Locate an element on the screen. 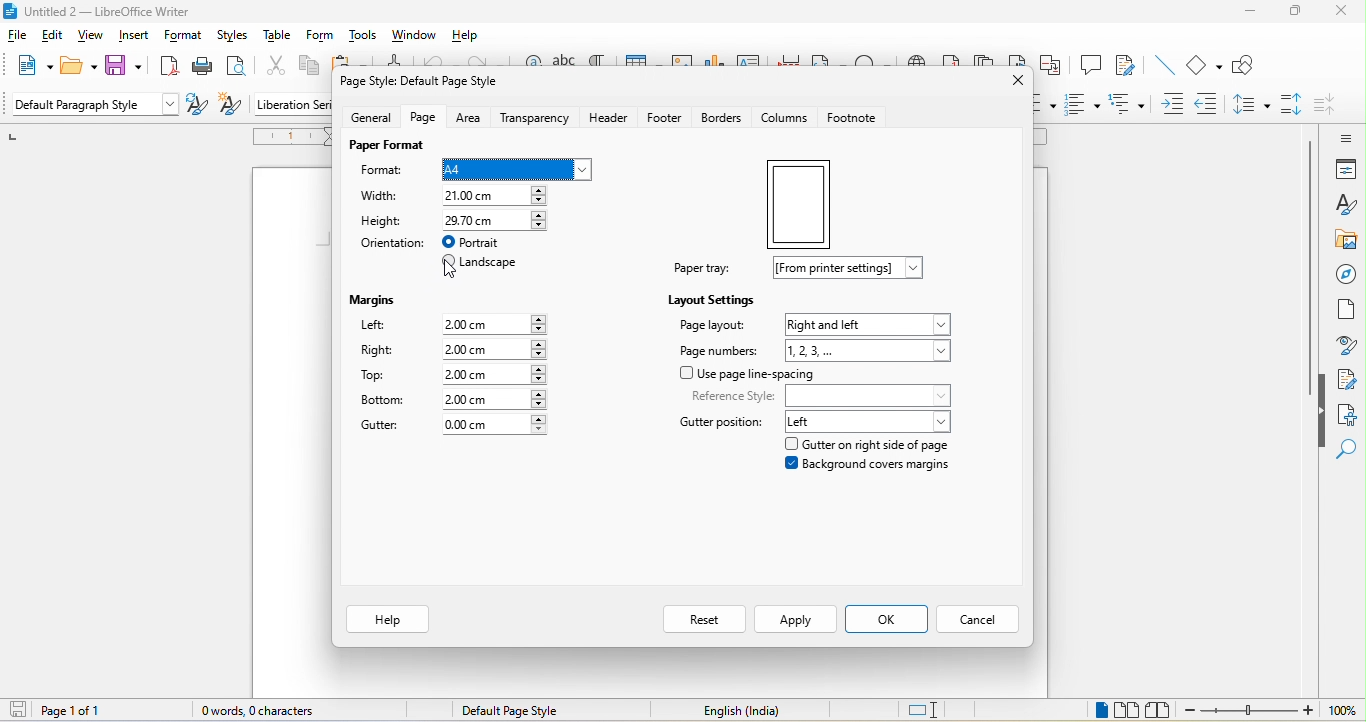  new is located at coordinates (26, 66).